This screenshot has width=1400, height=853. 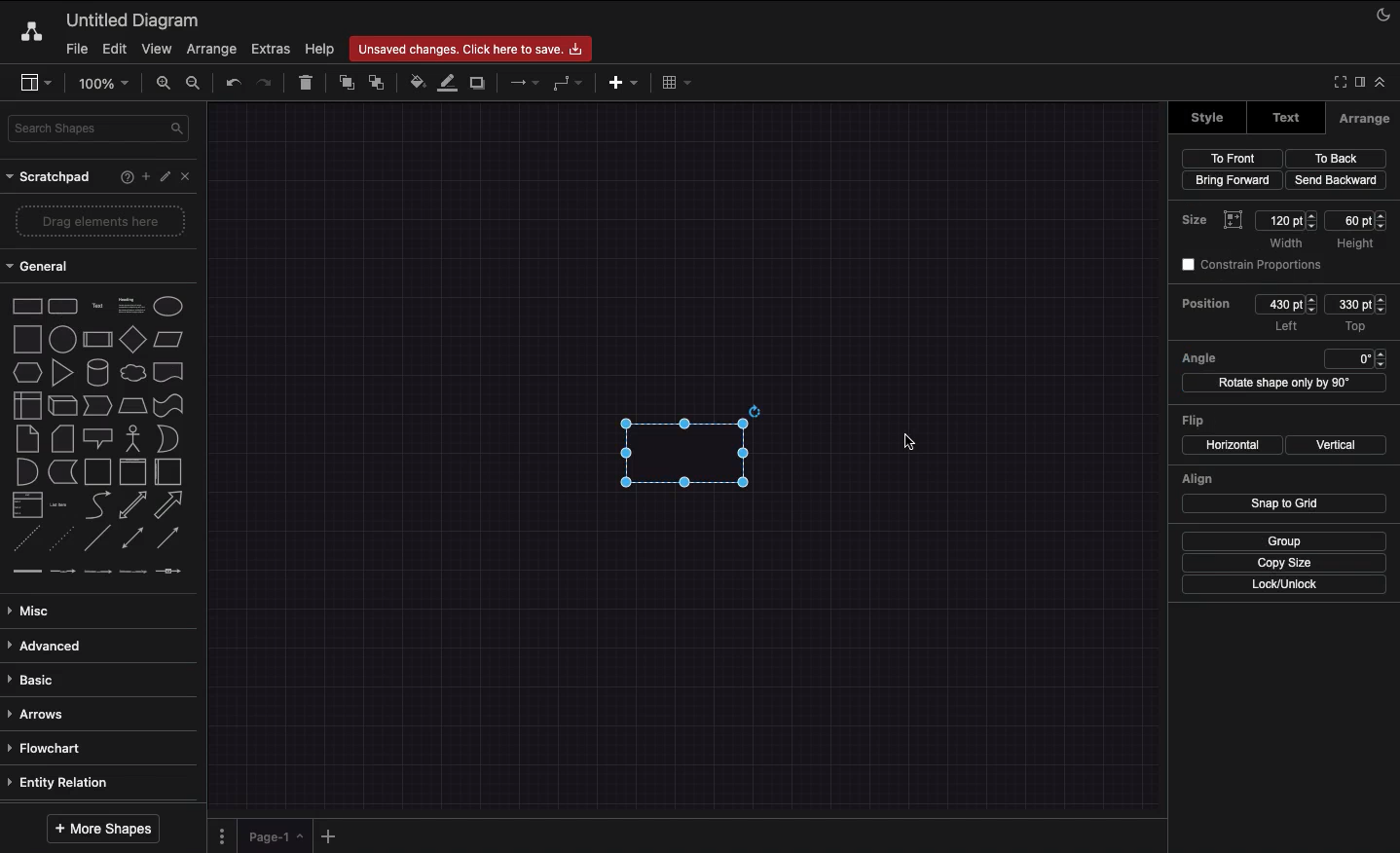 I want to click on Flip, so click(x=1195, y=419).